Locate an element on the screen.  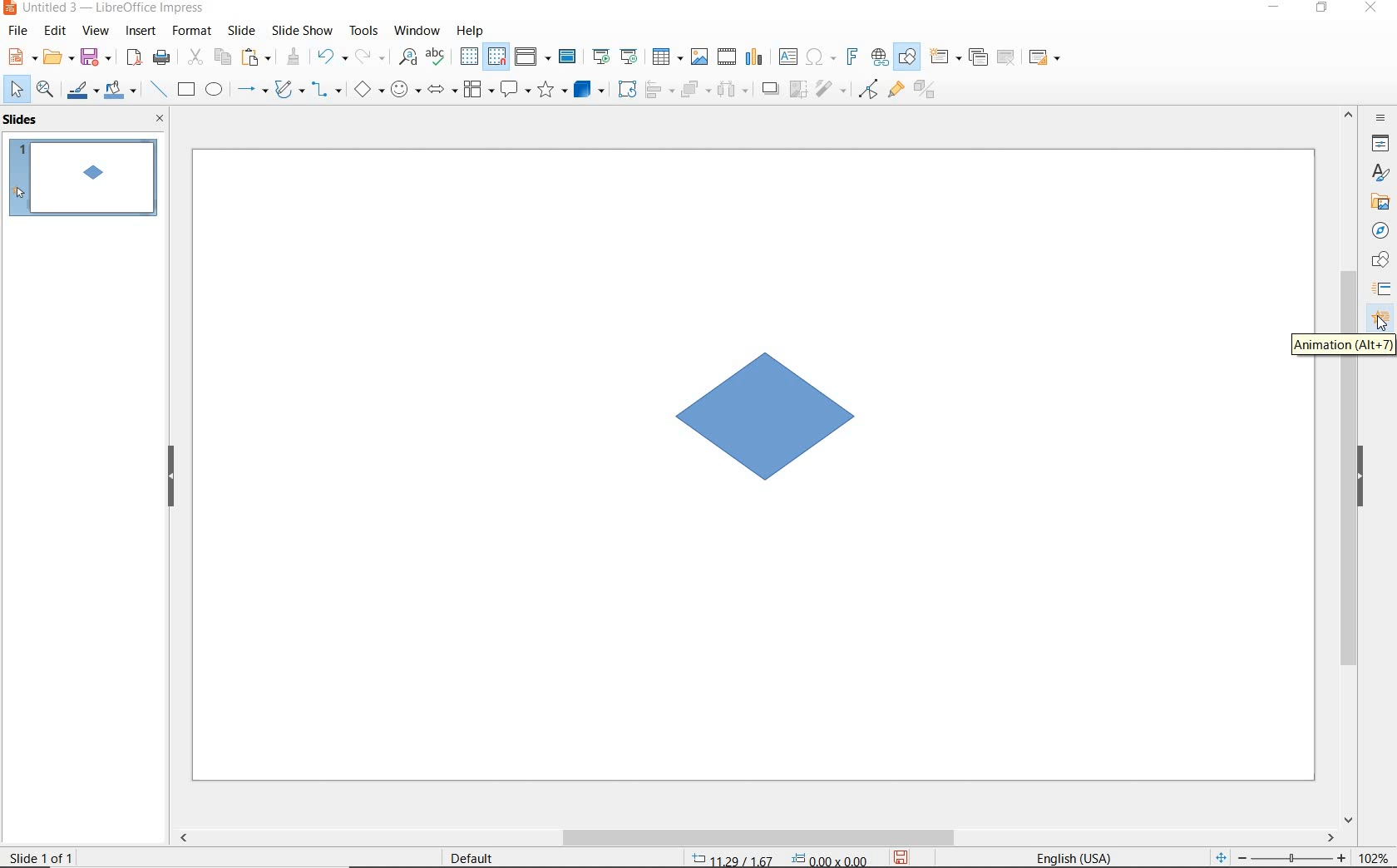
find and replace is located at coordinates (408, 57).